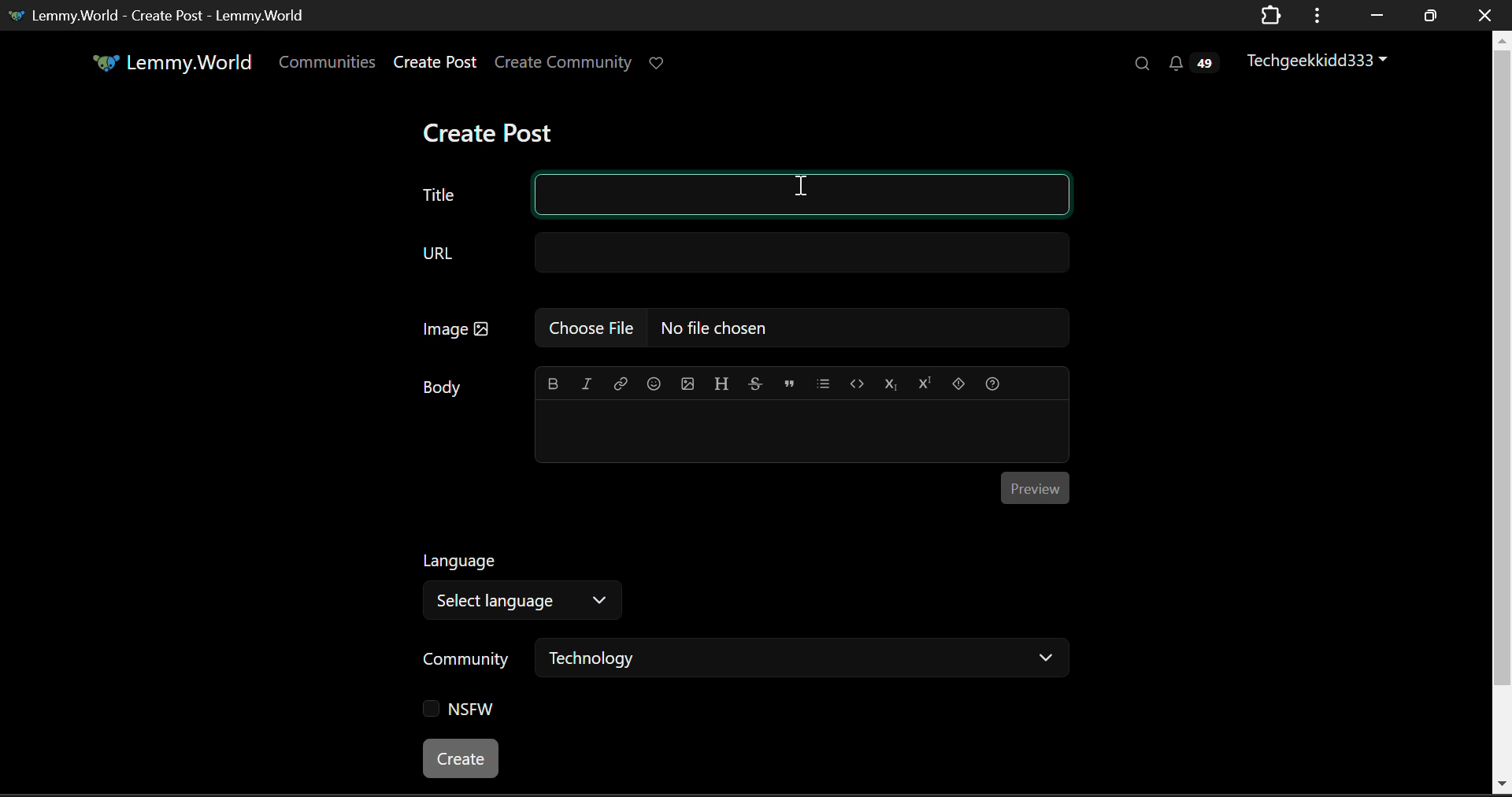 The image size is (1512, 797). Describe the element at coordinates (1271, 17) in the screenshot. I see `Extensions` at that location.